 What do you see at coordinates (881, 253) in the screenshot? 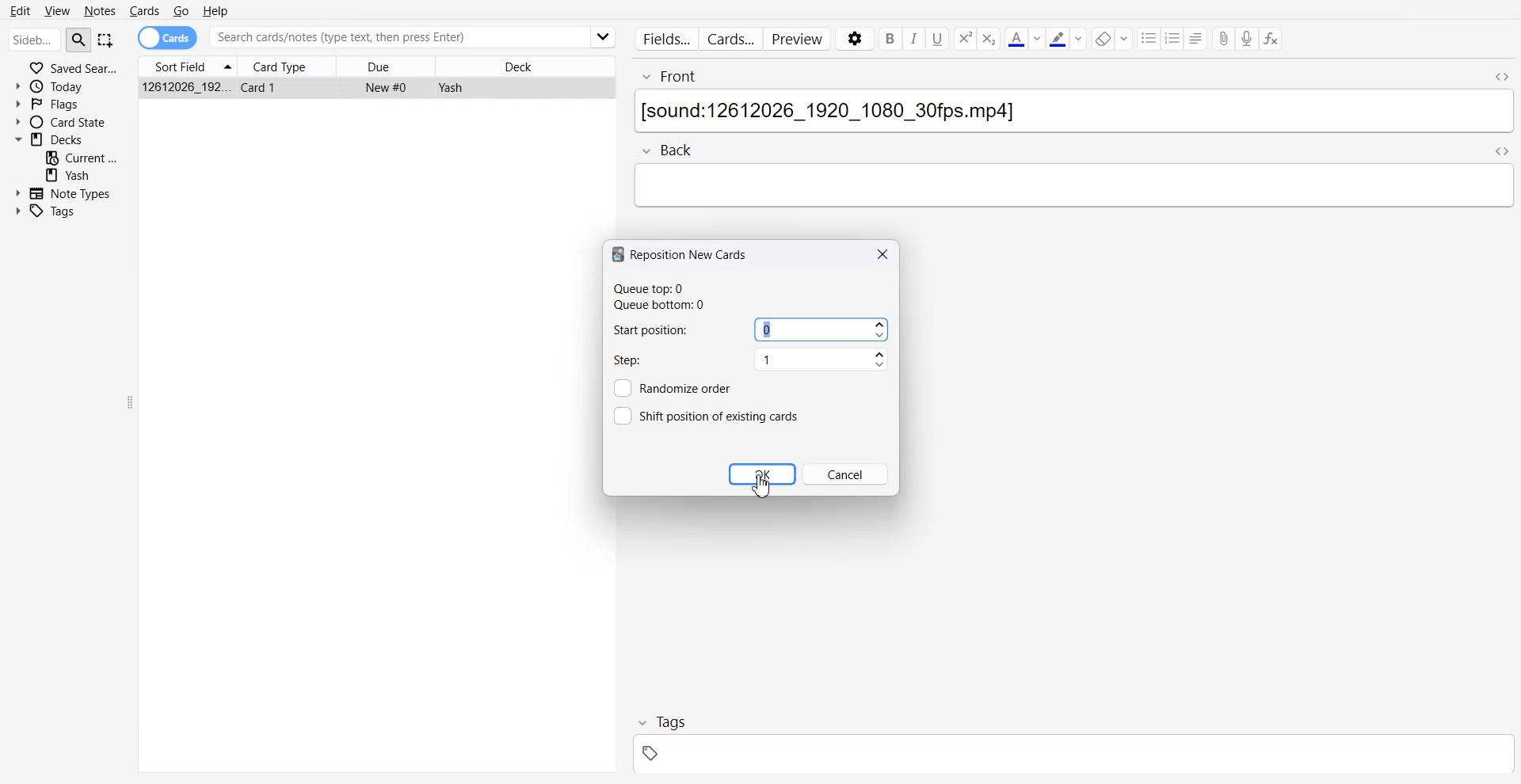
I see `Close` at bounding box center [881, 253].